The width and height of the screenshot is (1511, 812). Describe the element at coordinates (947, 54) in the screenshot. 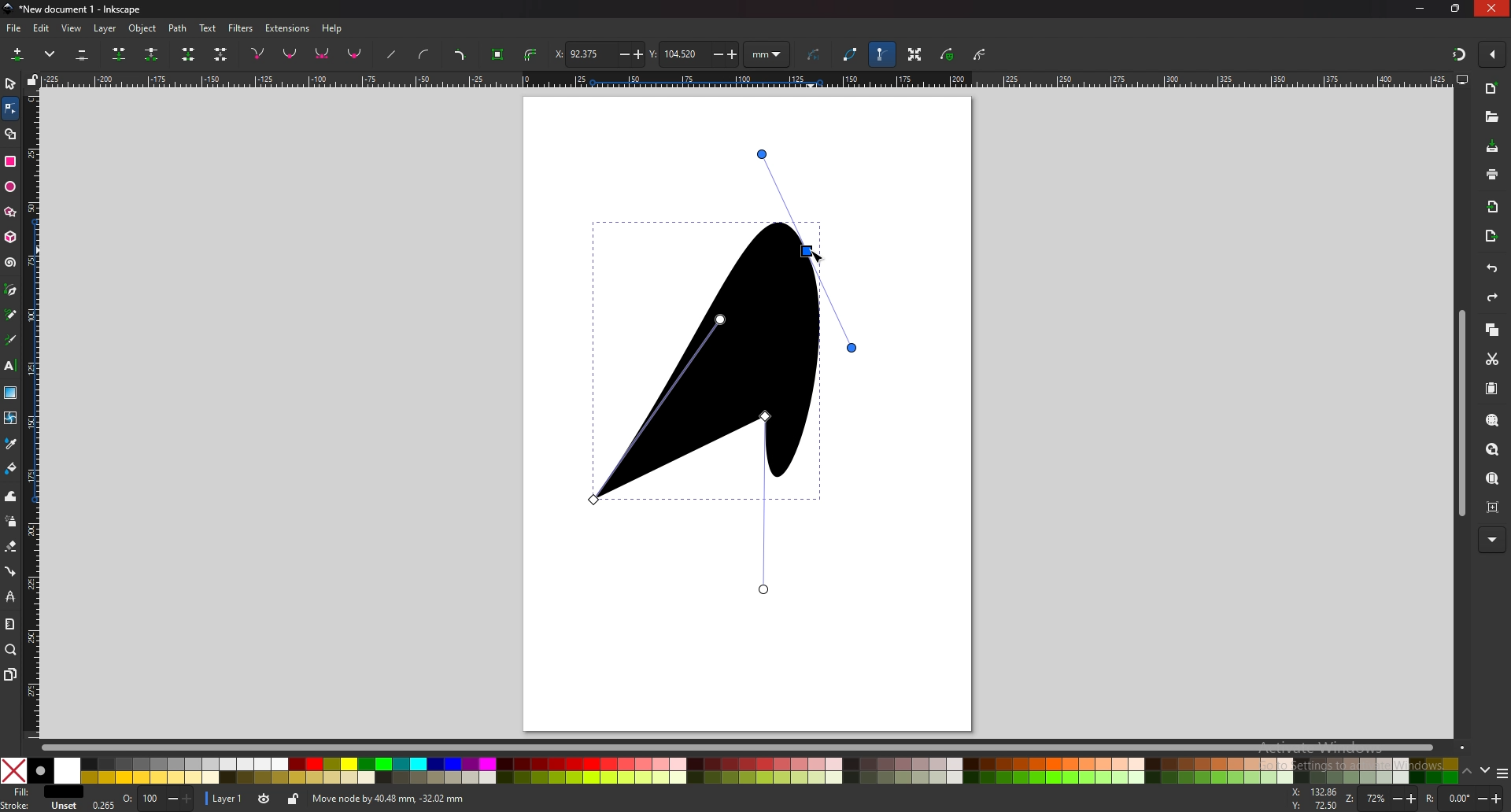

I see `show mask` at that location.